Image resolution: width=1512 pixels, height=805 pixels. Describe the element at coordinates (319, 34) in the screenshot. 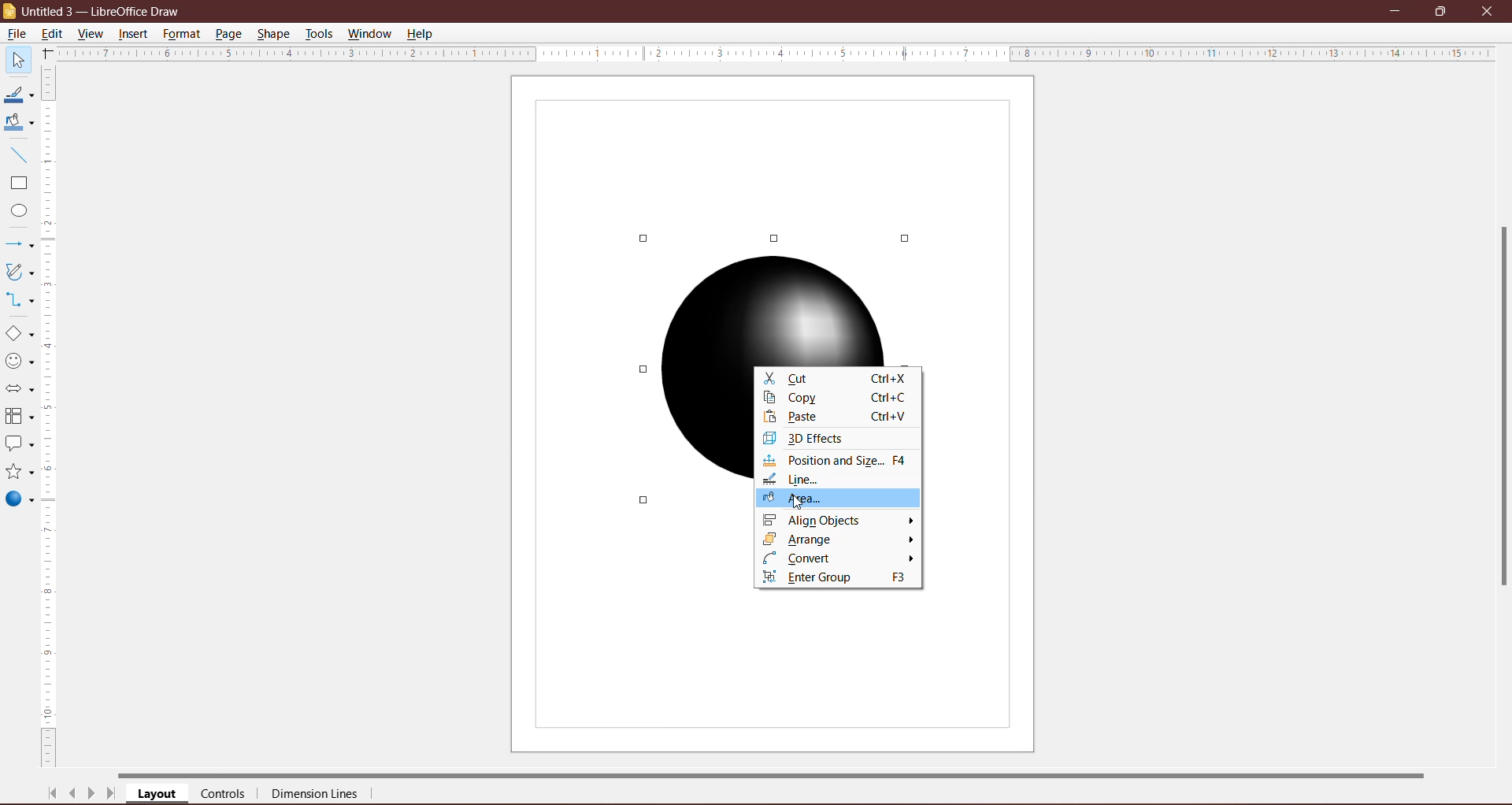

I see `Tools` at that location.